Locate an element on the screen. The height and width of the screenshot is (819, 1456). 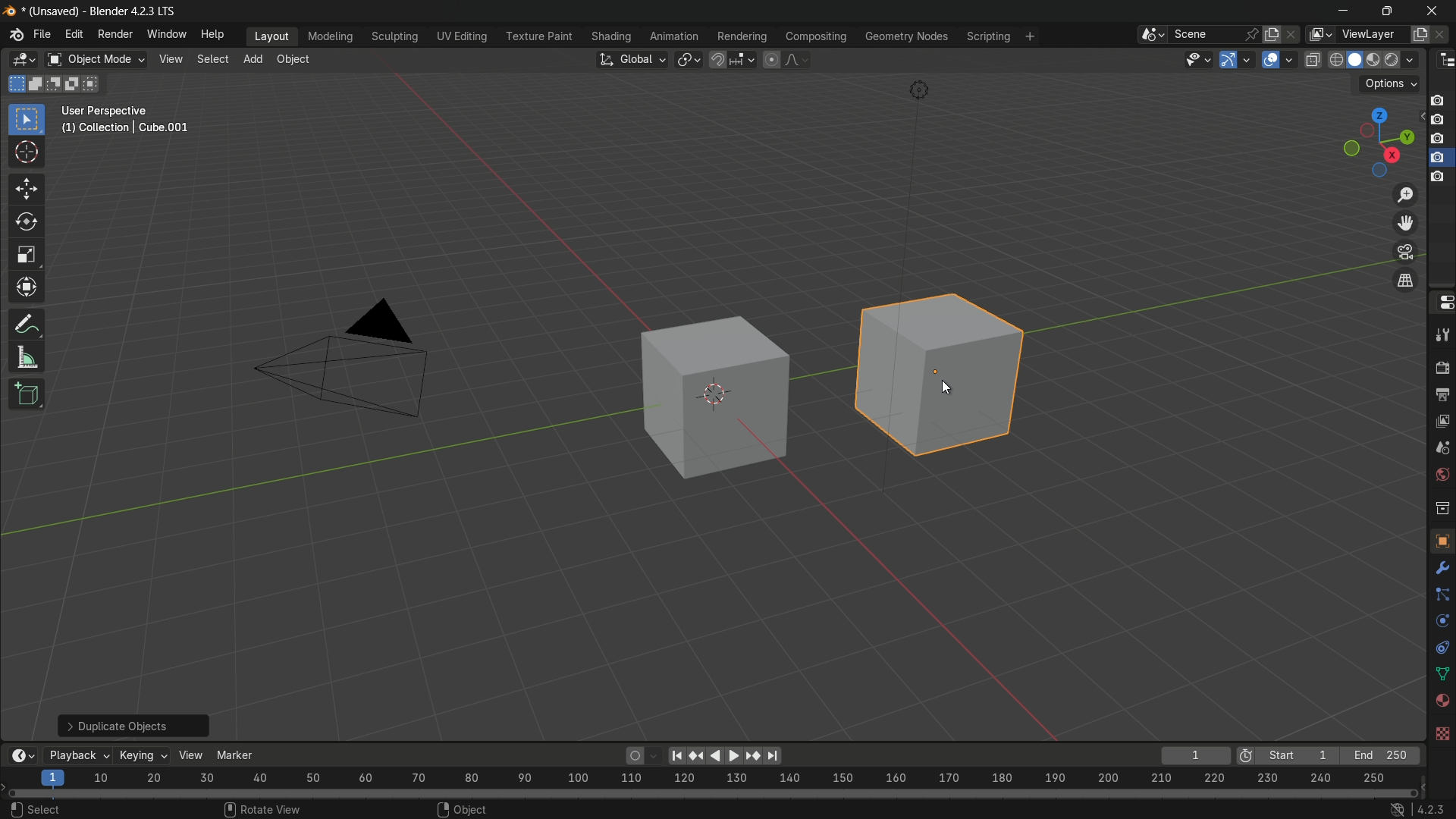
select tab is located at coordinates (215, 58).